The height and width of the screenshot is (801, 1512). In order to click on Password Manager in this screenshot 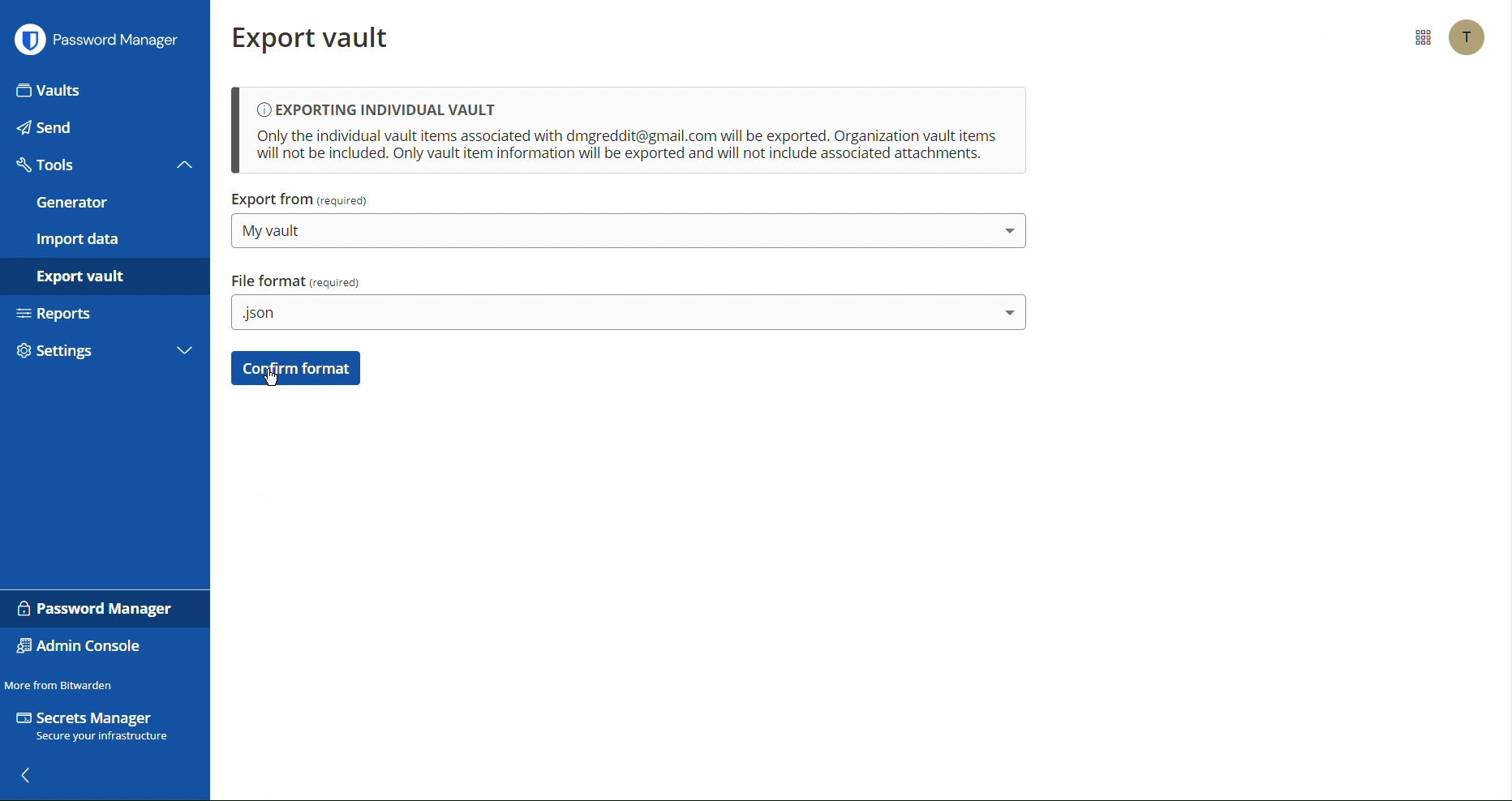, I will do `click(93, 610)`.